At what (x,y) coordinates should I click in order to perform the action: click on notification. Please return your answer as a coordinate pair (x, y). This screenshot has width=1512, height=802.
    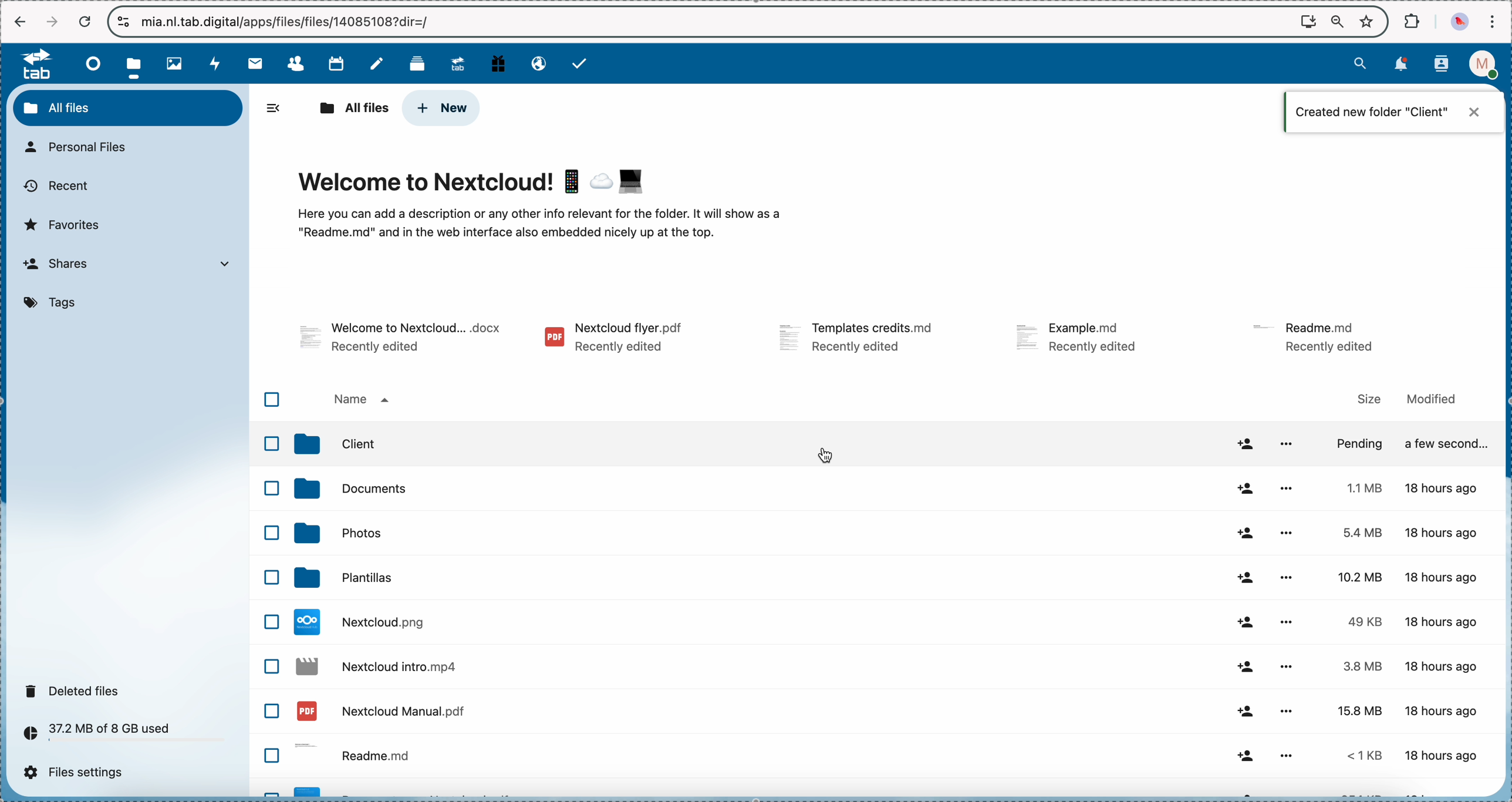
    Looking at the image, I should click on (1395, 112).